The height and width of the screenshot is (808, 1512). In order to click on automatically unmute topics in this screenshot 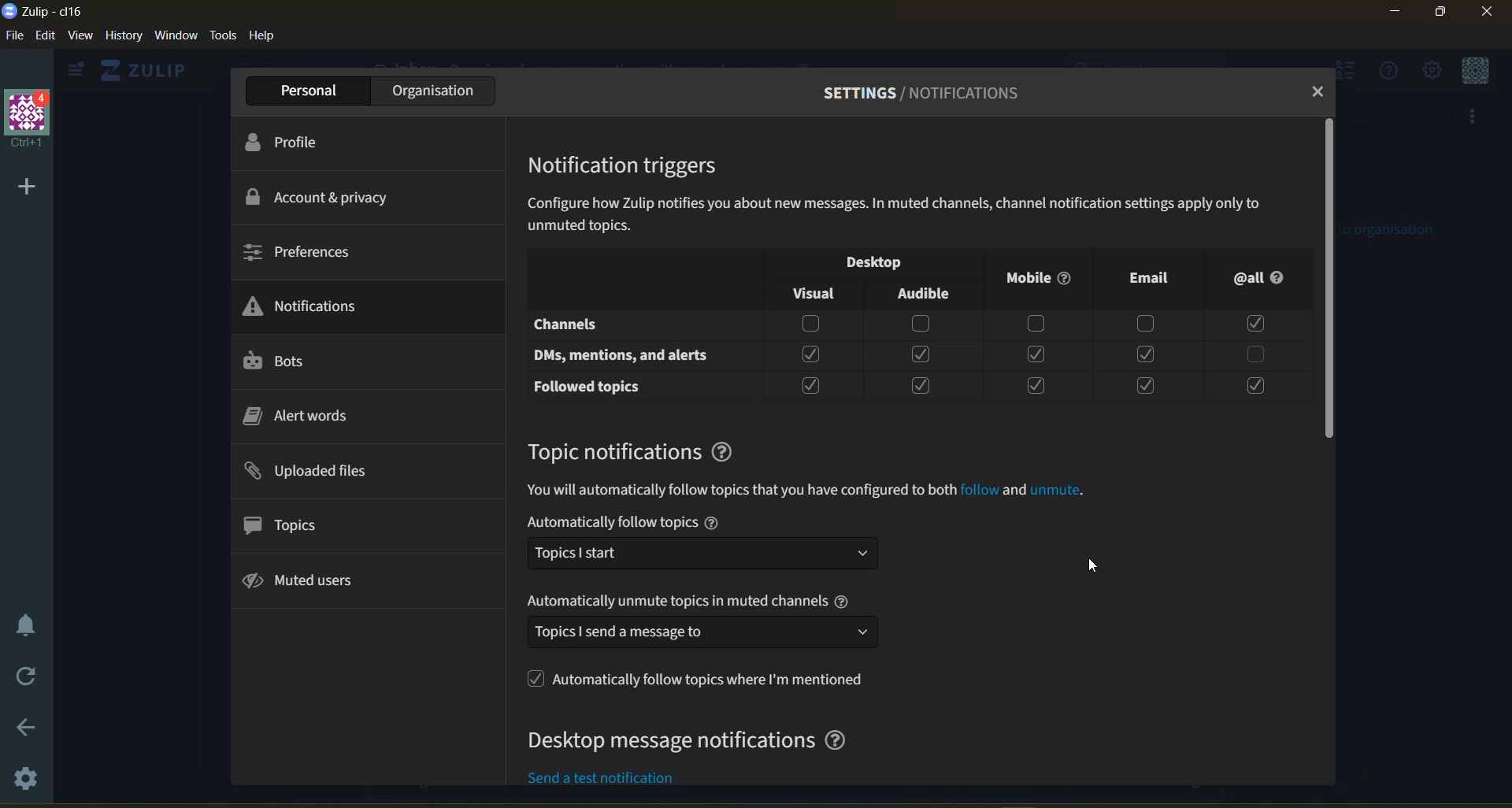, I will do `click(702, 602)`.